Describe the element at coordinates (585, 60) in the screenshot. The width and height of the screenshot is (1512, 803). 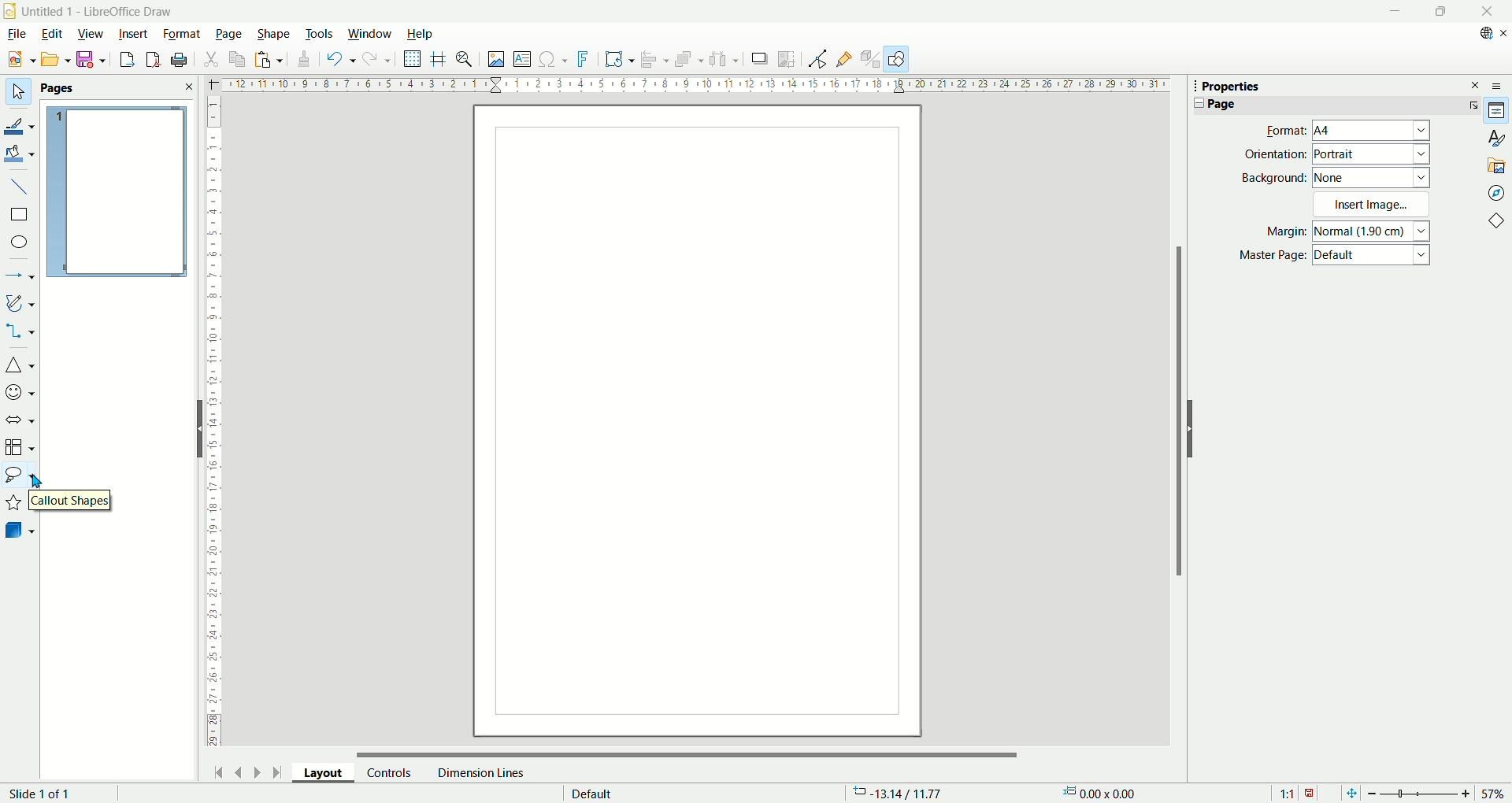
I see `fontwork text` at that location.